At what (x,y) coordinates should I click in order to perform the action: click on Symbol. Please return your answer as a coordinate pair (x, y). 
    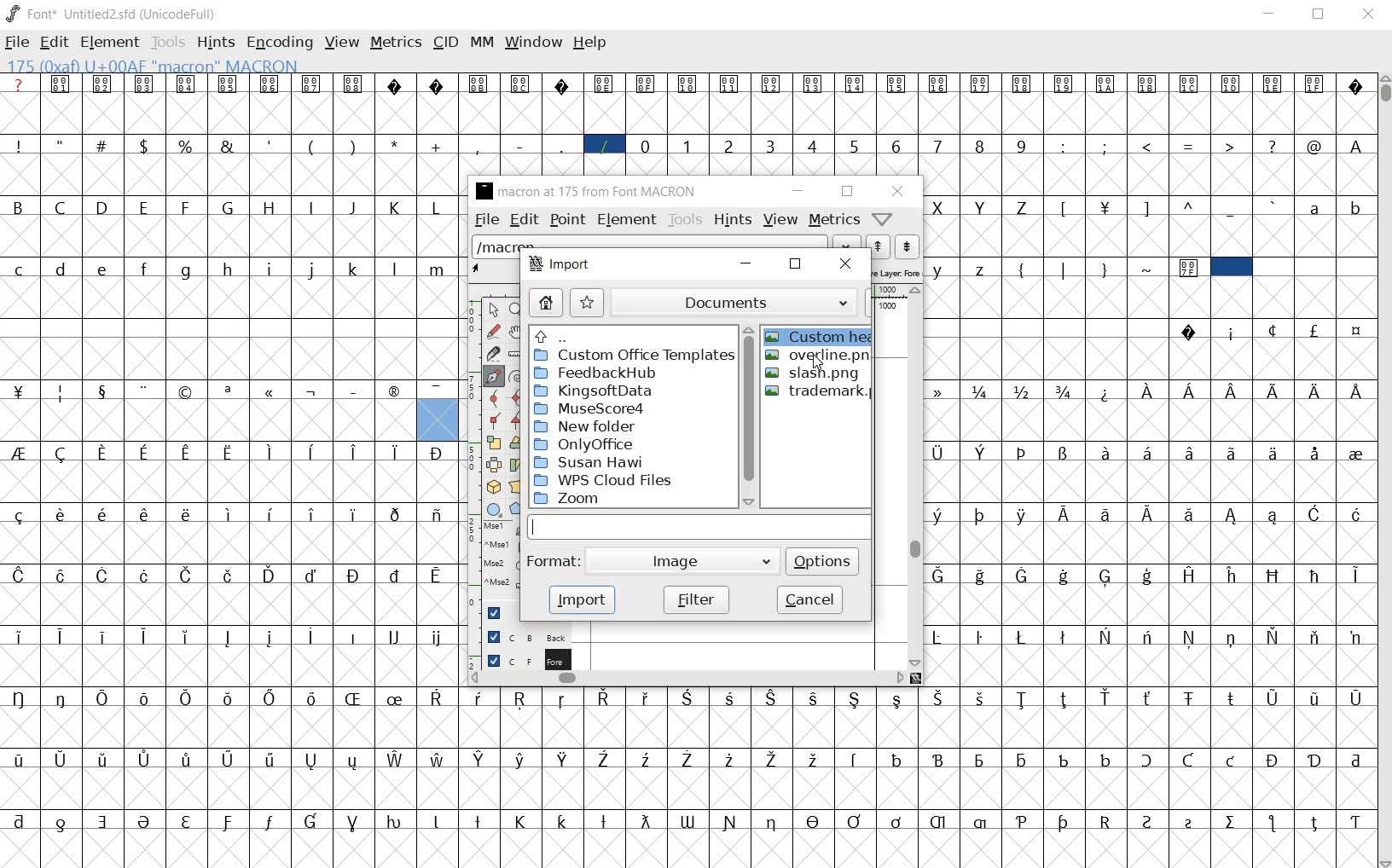
    Looking at the image, I should click on (393, 389).